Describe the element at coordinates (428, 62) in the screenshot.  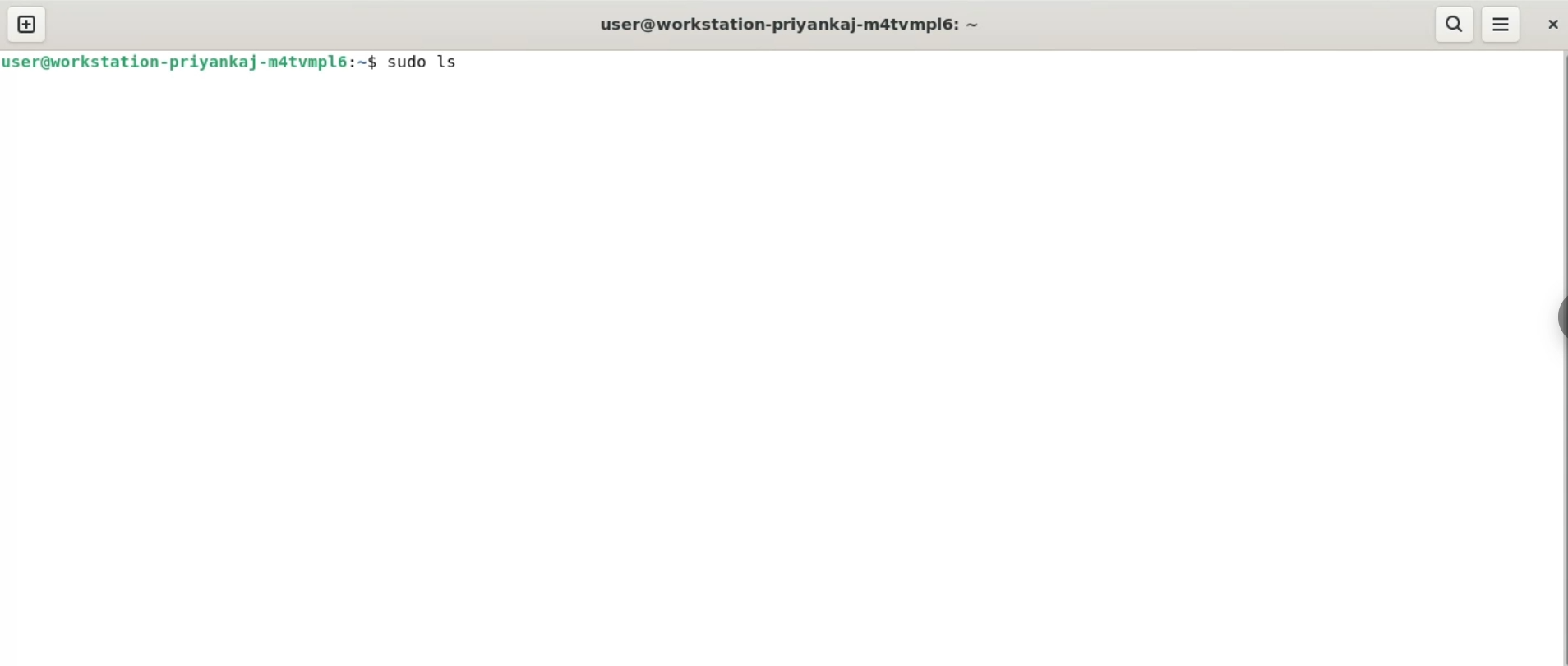
I see `command` at that location.